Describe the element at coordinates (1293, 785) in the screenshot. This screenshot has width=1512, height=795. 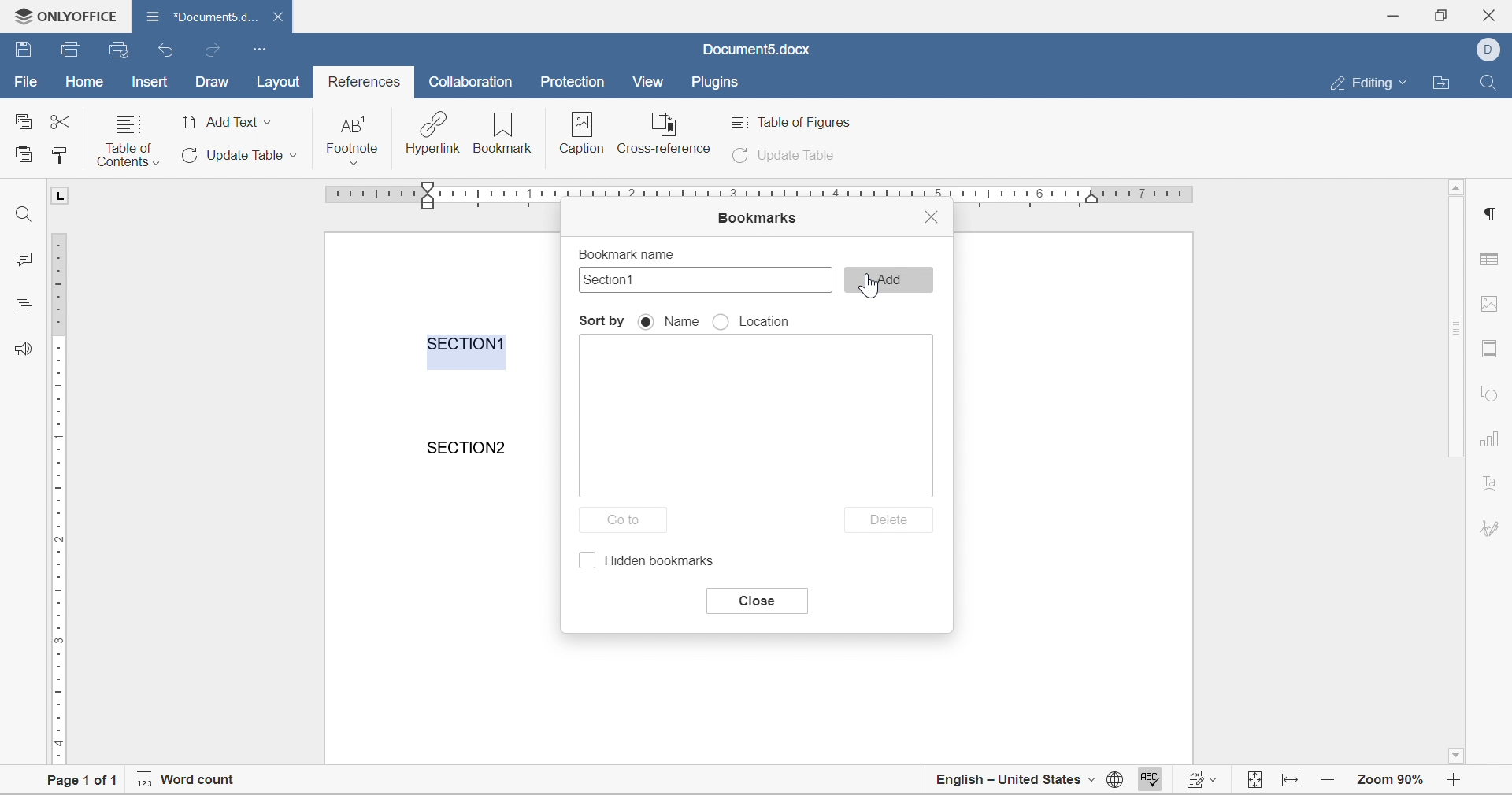
I see `fit to width` at that location.